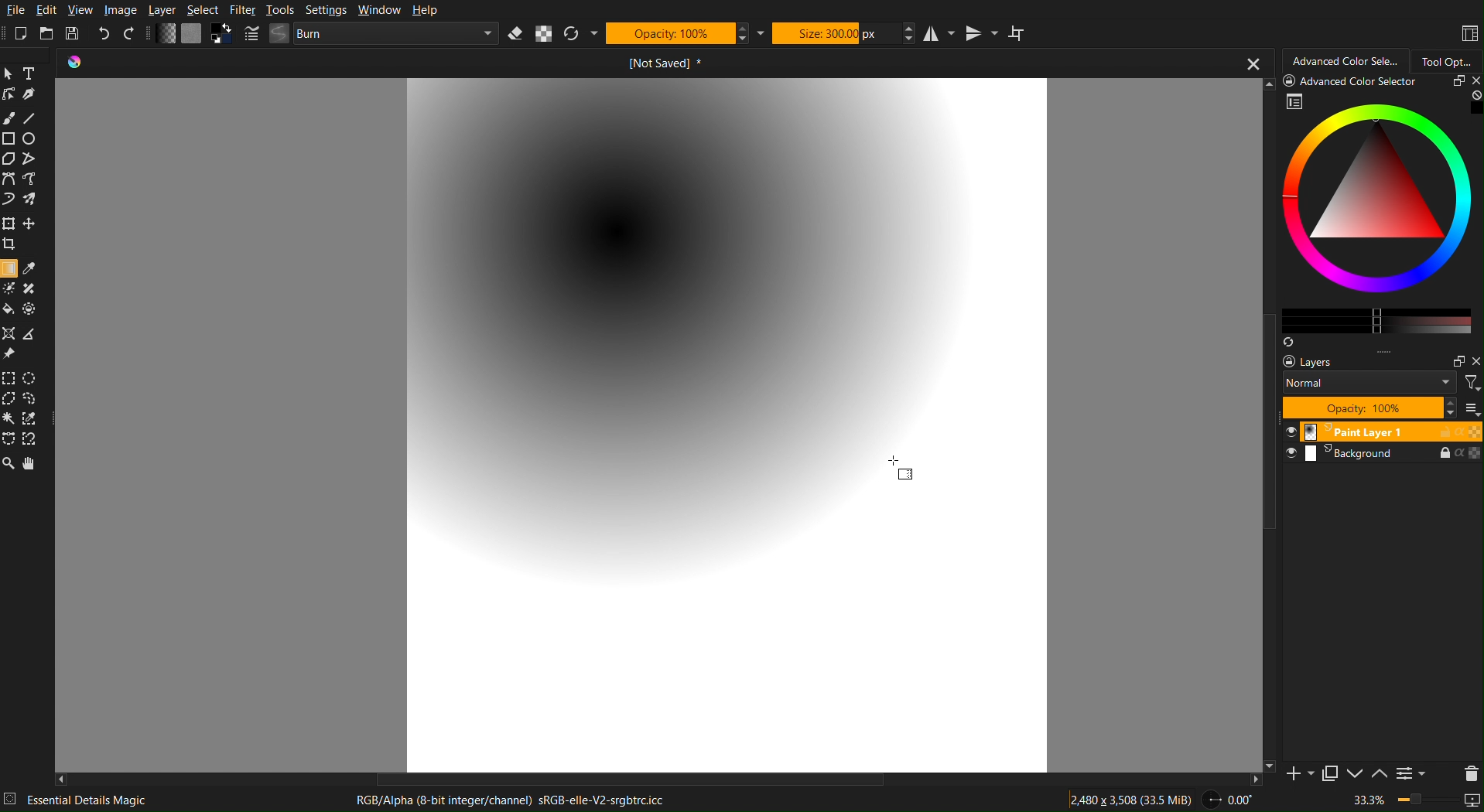  What do you see at coordinates (11, 73) in the screenshot?
I see `Pointer` at bounding box center [11, 73].